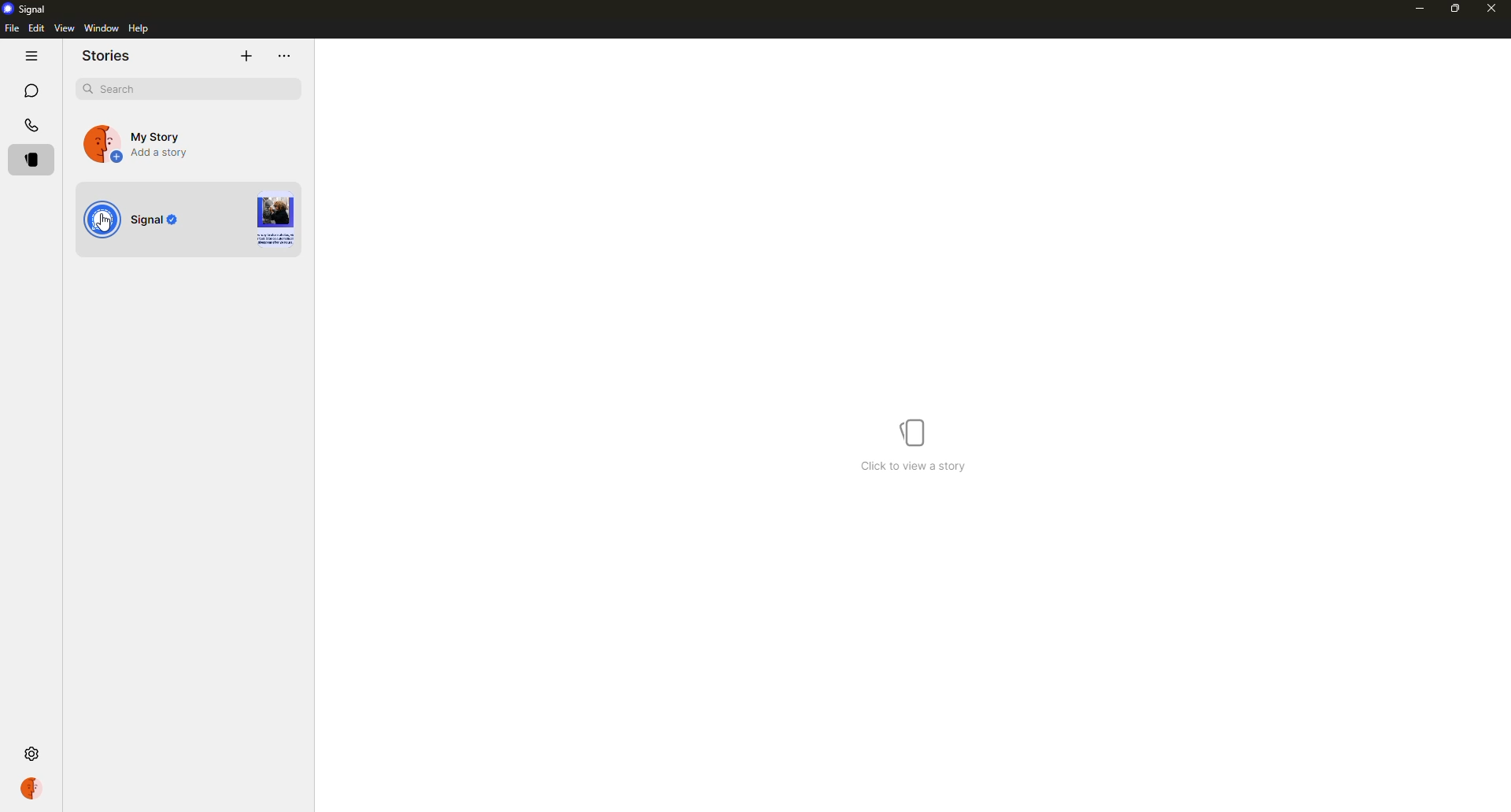 This screenshot has height=812, width=1511. Describe the element at coordinates (31, 57) in the screenshot. I see `hide tabs` at that location.